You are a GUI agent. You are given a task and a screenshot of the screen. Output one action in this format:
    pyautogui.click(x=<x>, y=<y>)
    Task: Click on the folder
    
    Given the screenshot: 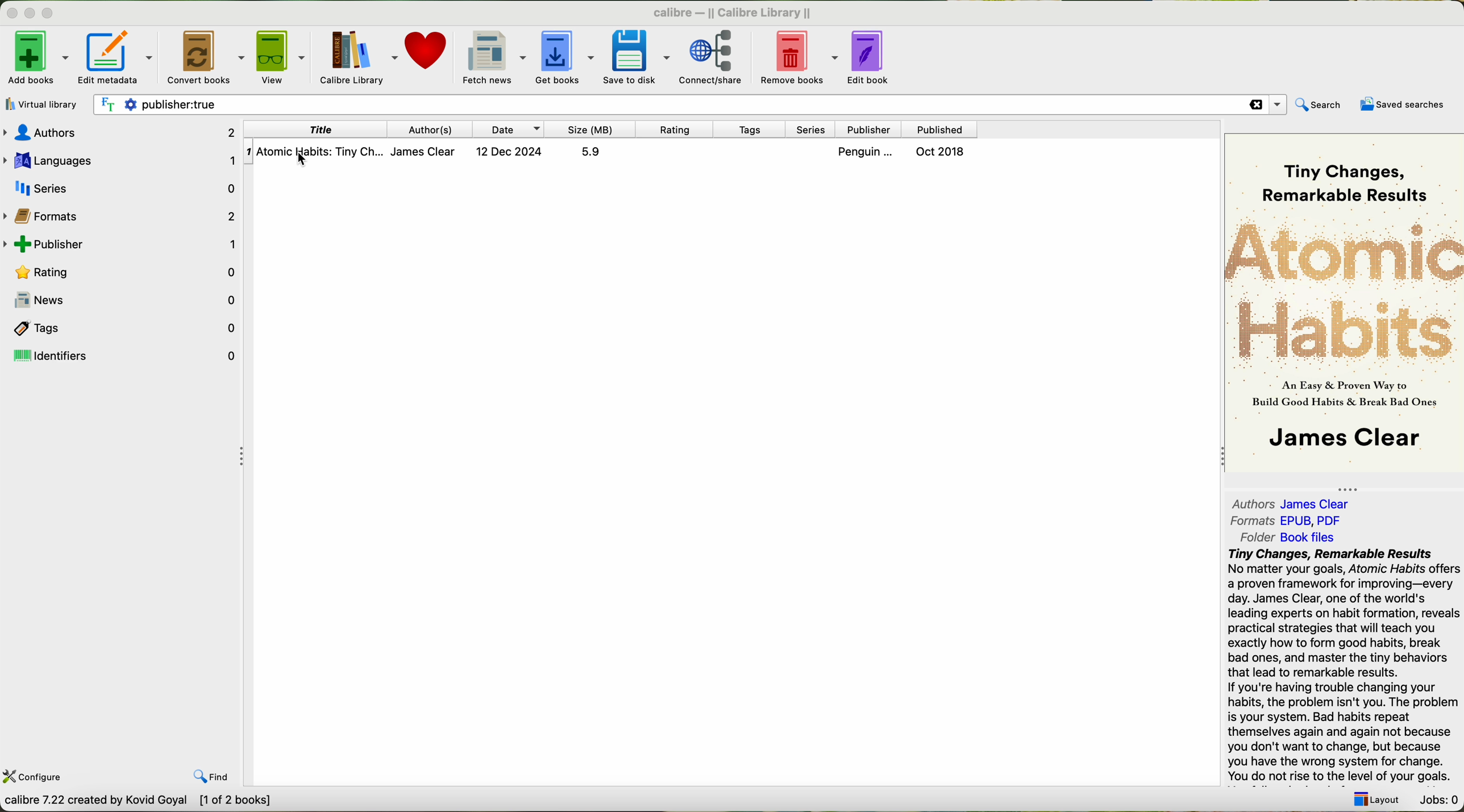 What is the action you would take?
    pyautogui.click(x=1286, y=539)
    